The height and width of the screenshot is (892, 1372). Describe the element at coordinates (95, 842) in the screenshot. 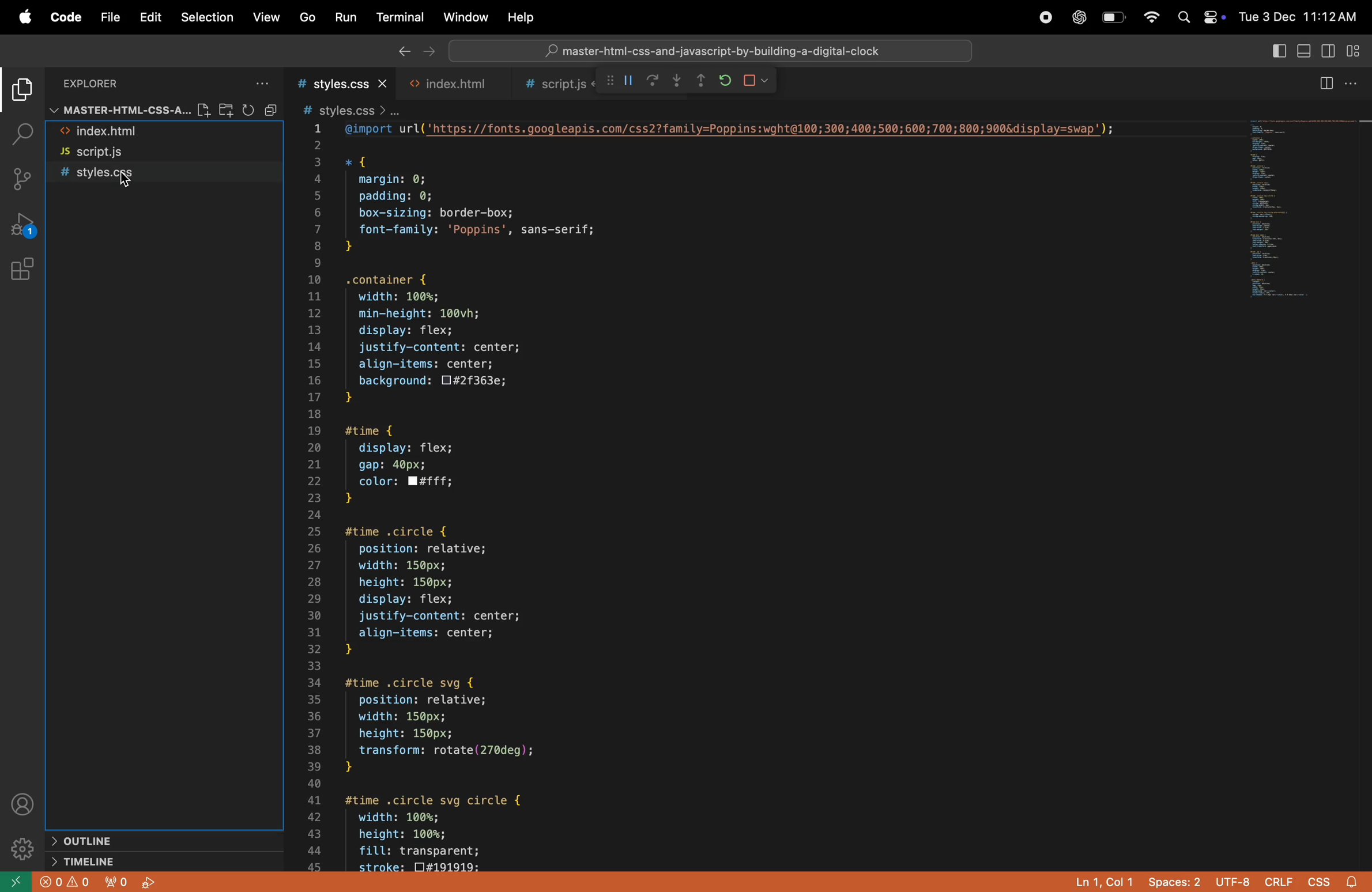

I see `outline` at that location.